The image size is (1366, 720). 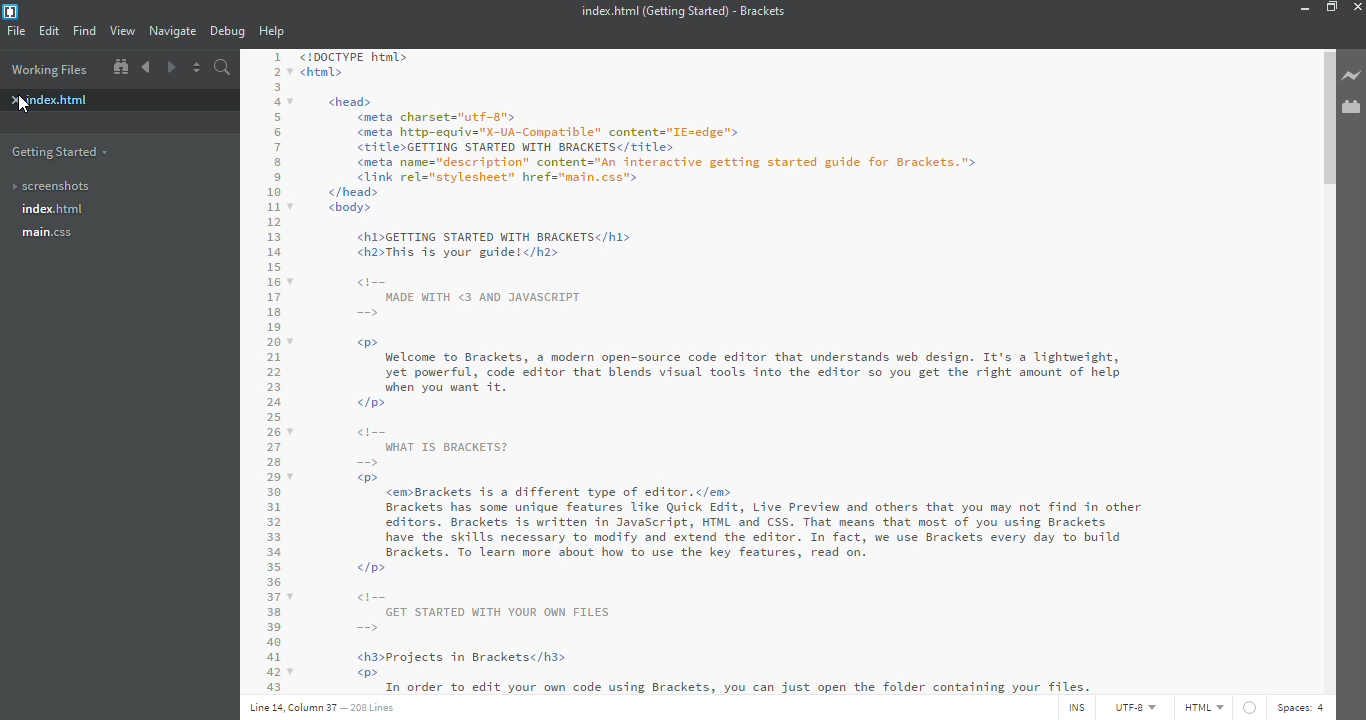 What do you see at coordinates (195, 66) in the screenshot?
I see `split editor` at bounding box center [195, 66].